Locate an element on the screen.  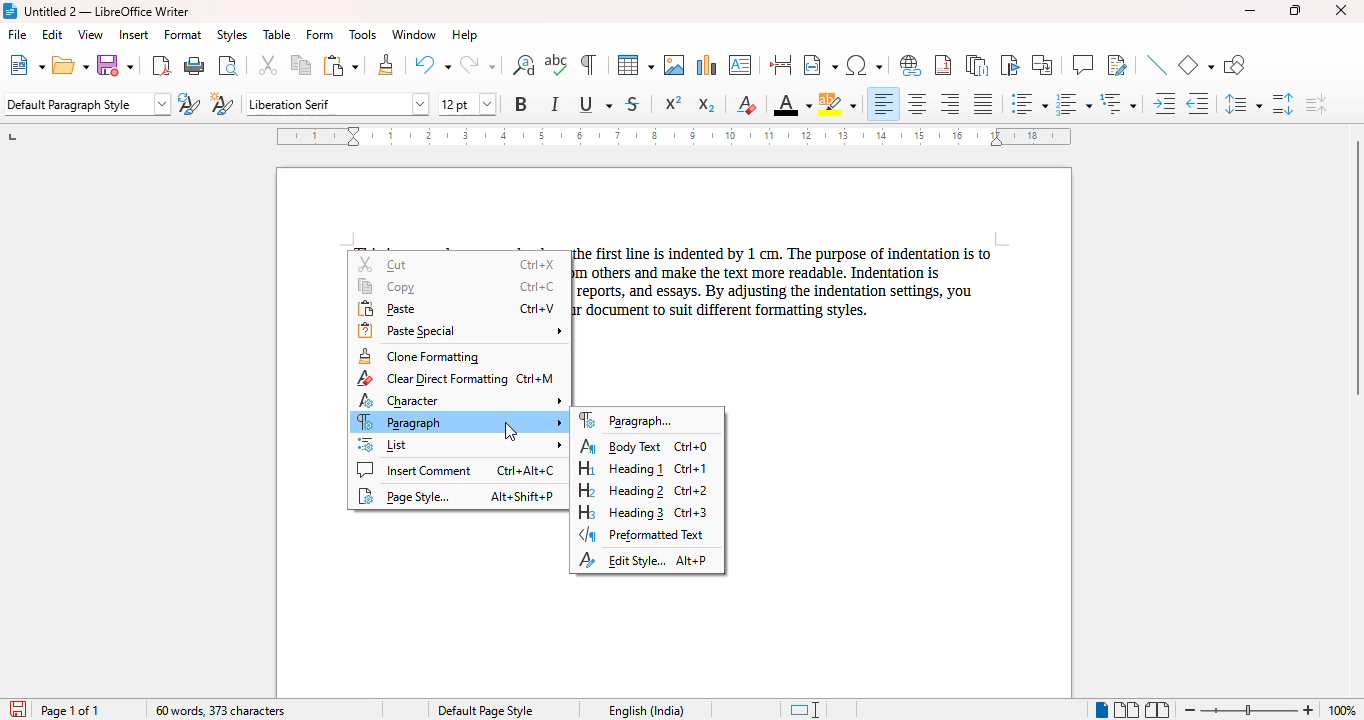
page style is located at coordinates (486, 710).